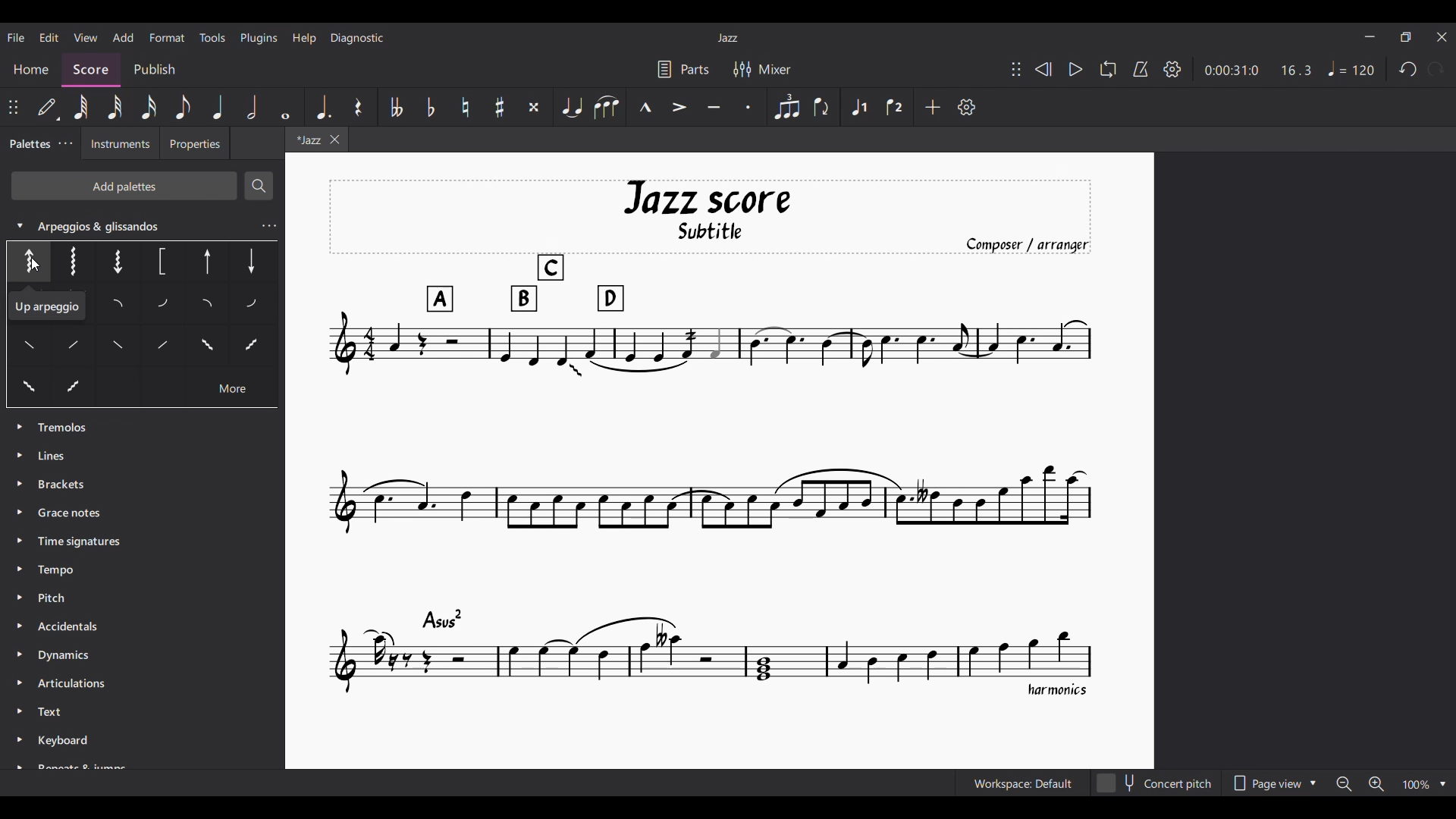 This screenshot has height=819, width=1456. I want to click on Dynamics, so click(67, 657).